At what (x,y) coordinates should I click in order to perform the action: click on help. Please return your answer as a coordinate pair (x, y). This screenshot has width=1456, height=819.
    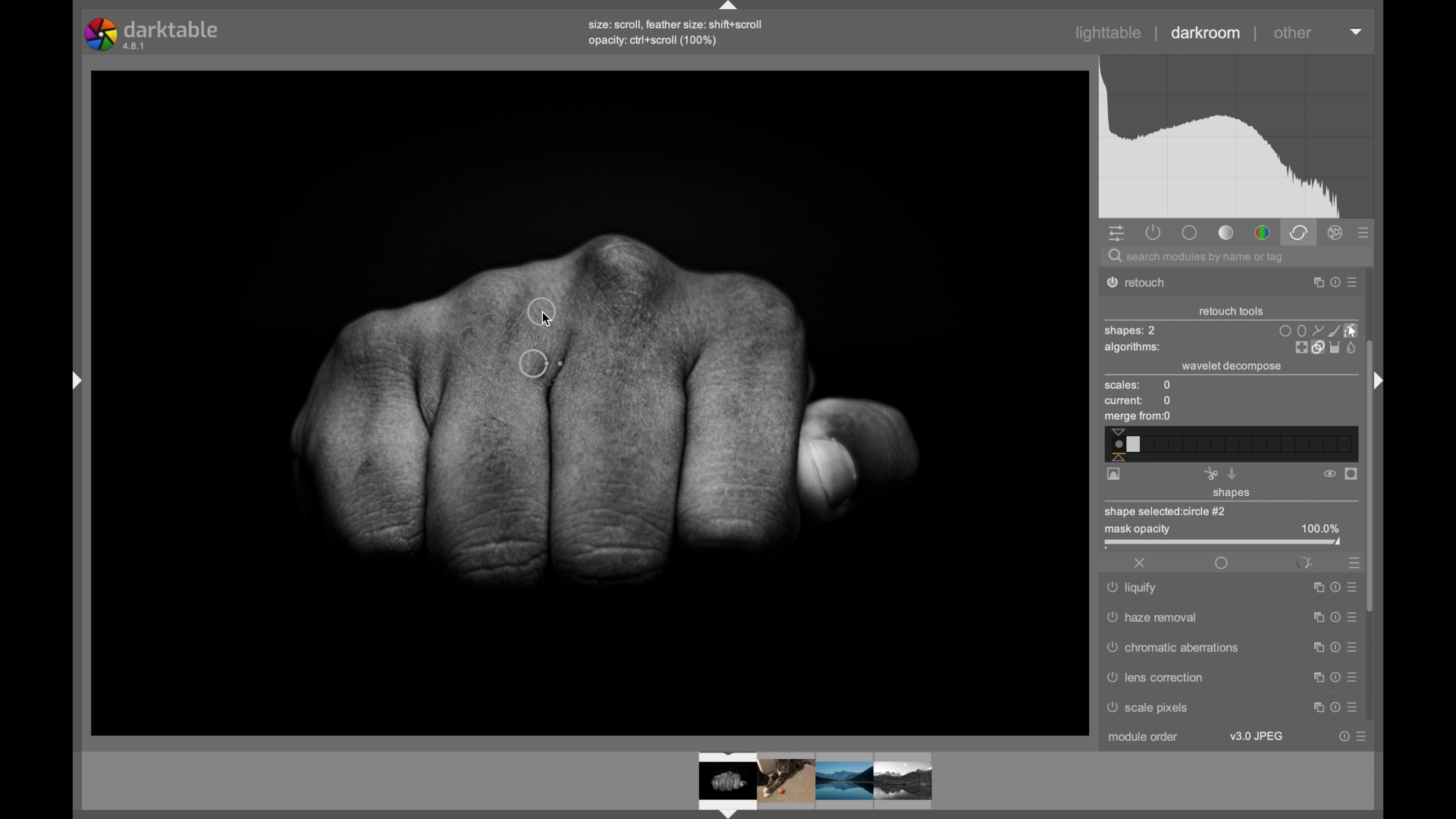
    Looking at the image, I should click on (1335, 708).